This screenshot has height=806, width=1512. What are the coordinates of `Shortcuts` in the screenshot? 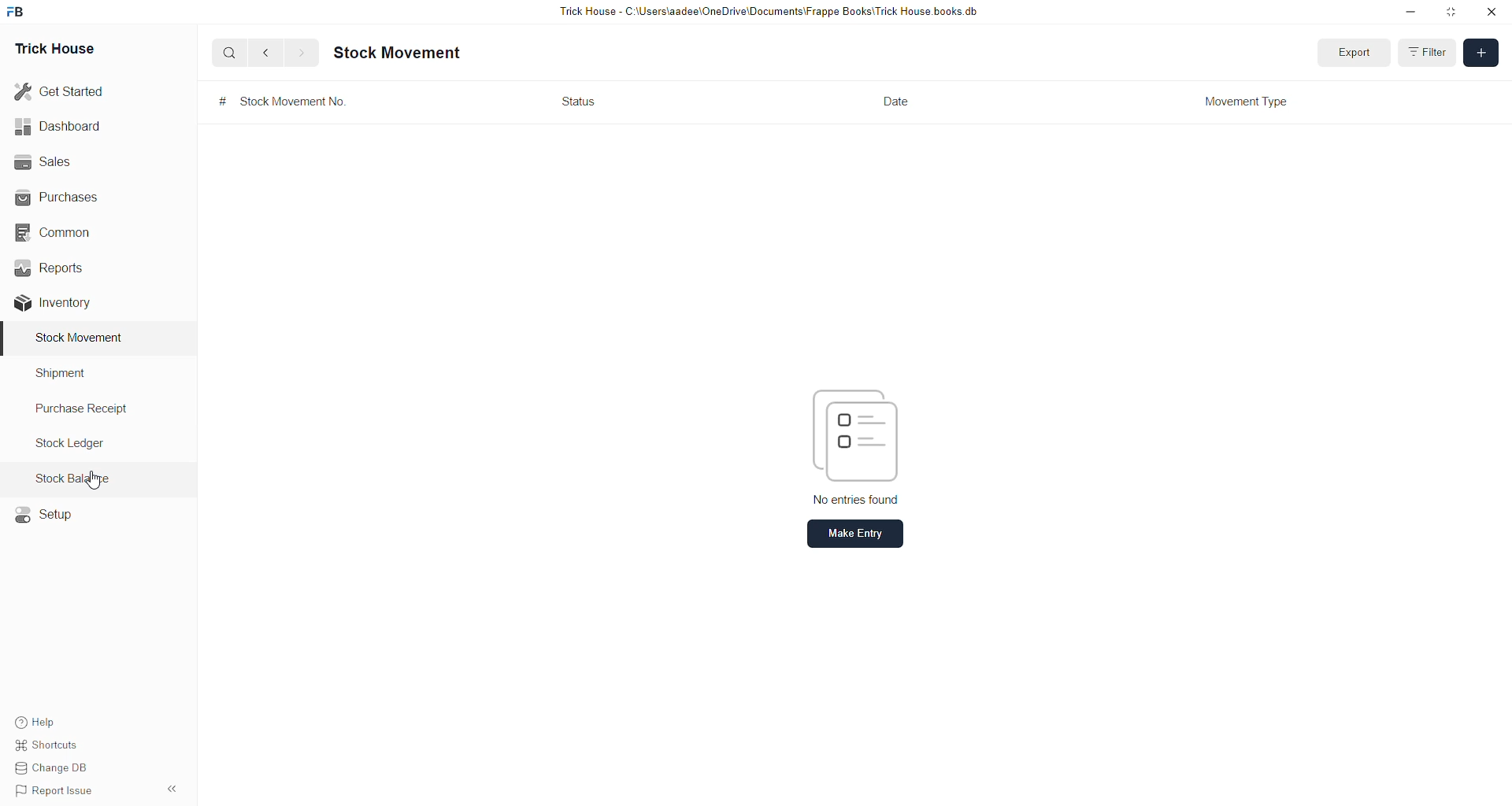 It's located at (54, 747).